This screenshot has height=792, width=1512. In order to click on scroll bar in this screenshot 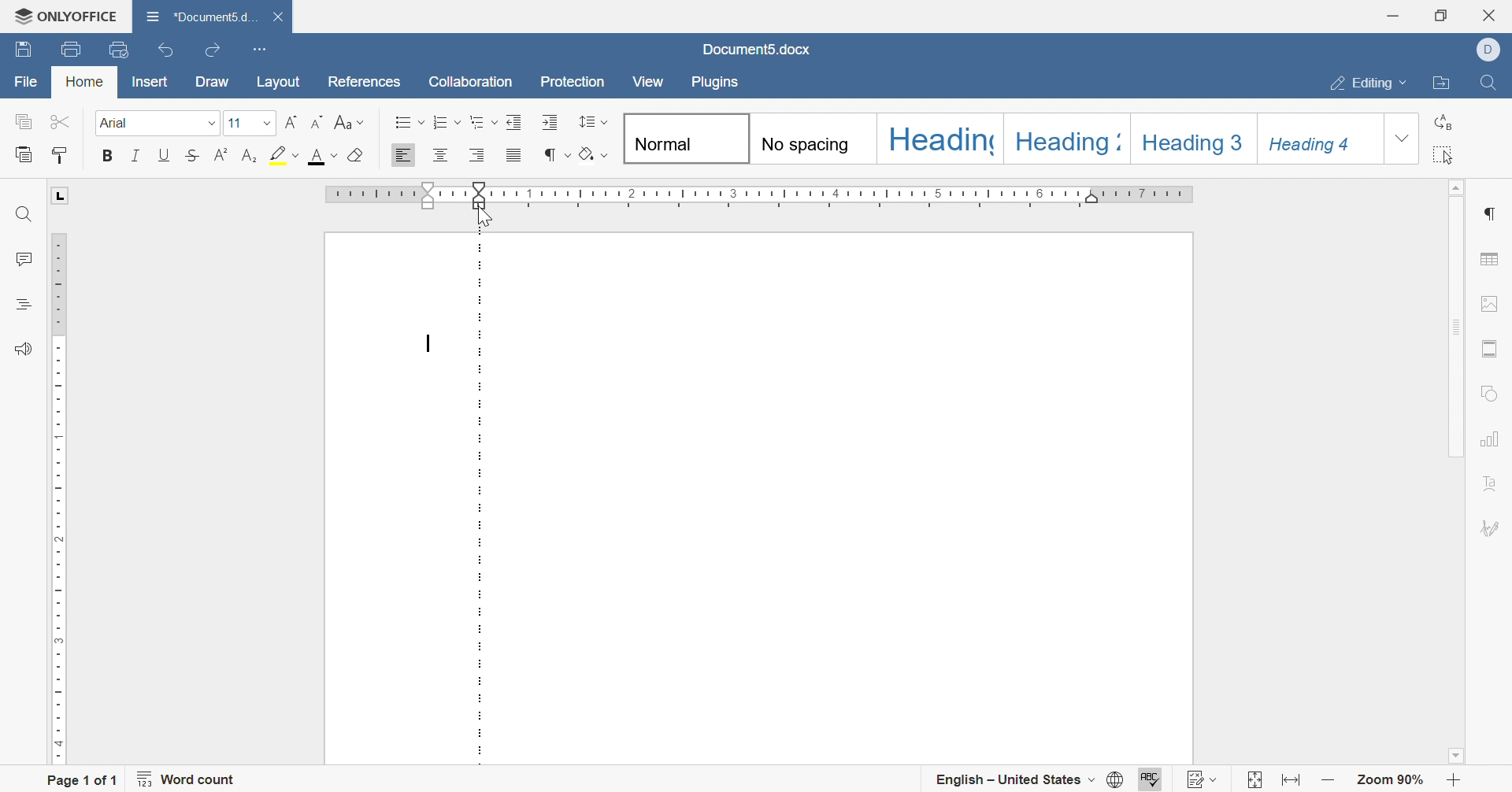, I will do `click(1459, 325)`.